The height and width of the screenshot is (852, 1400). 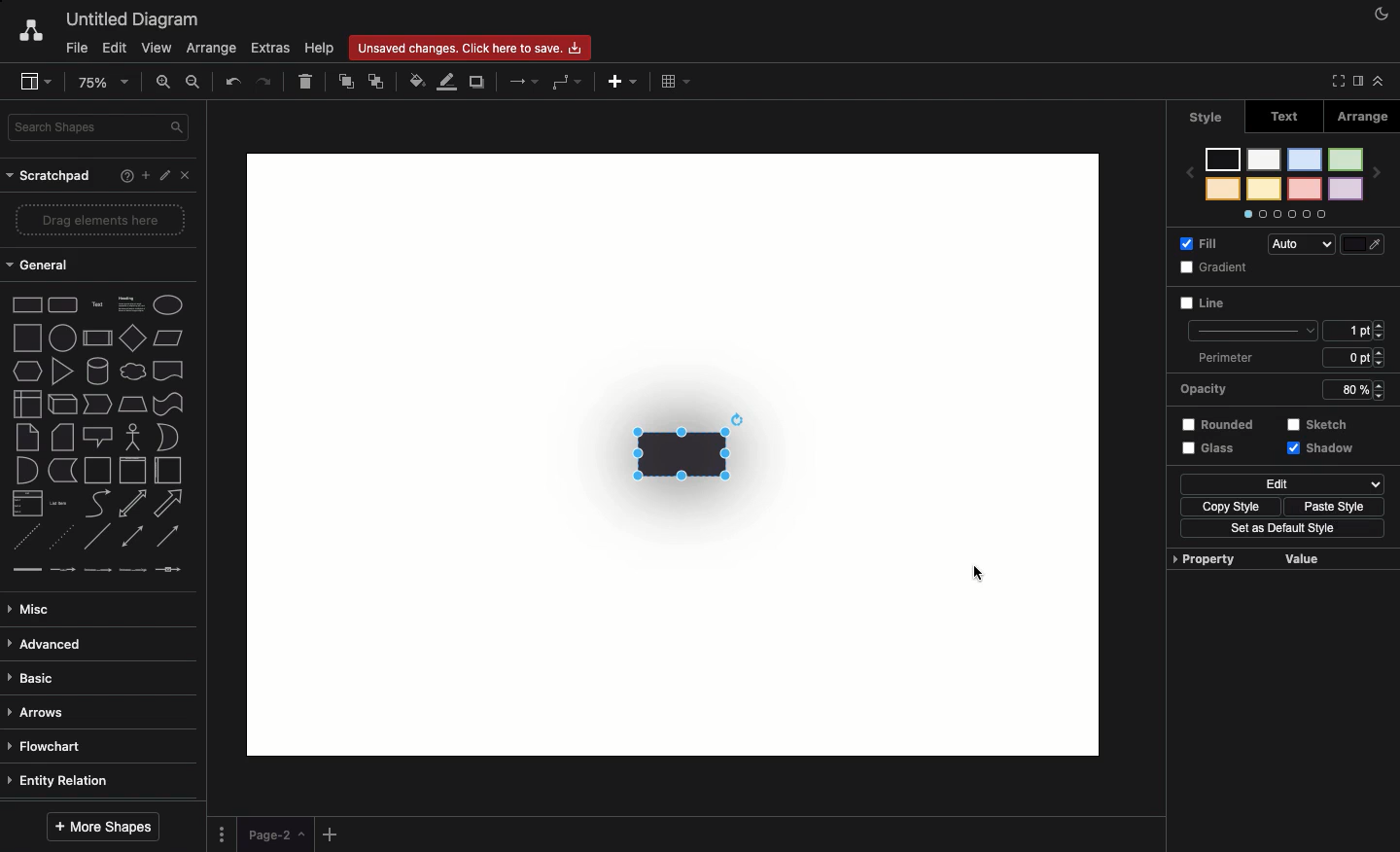 I want to click on Rounded rectangle, so click(x=65, y=306).